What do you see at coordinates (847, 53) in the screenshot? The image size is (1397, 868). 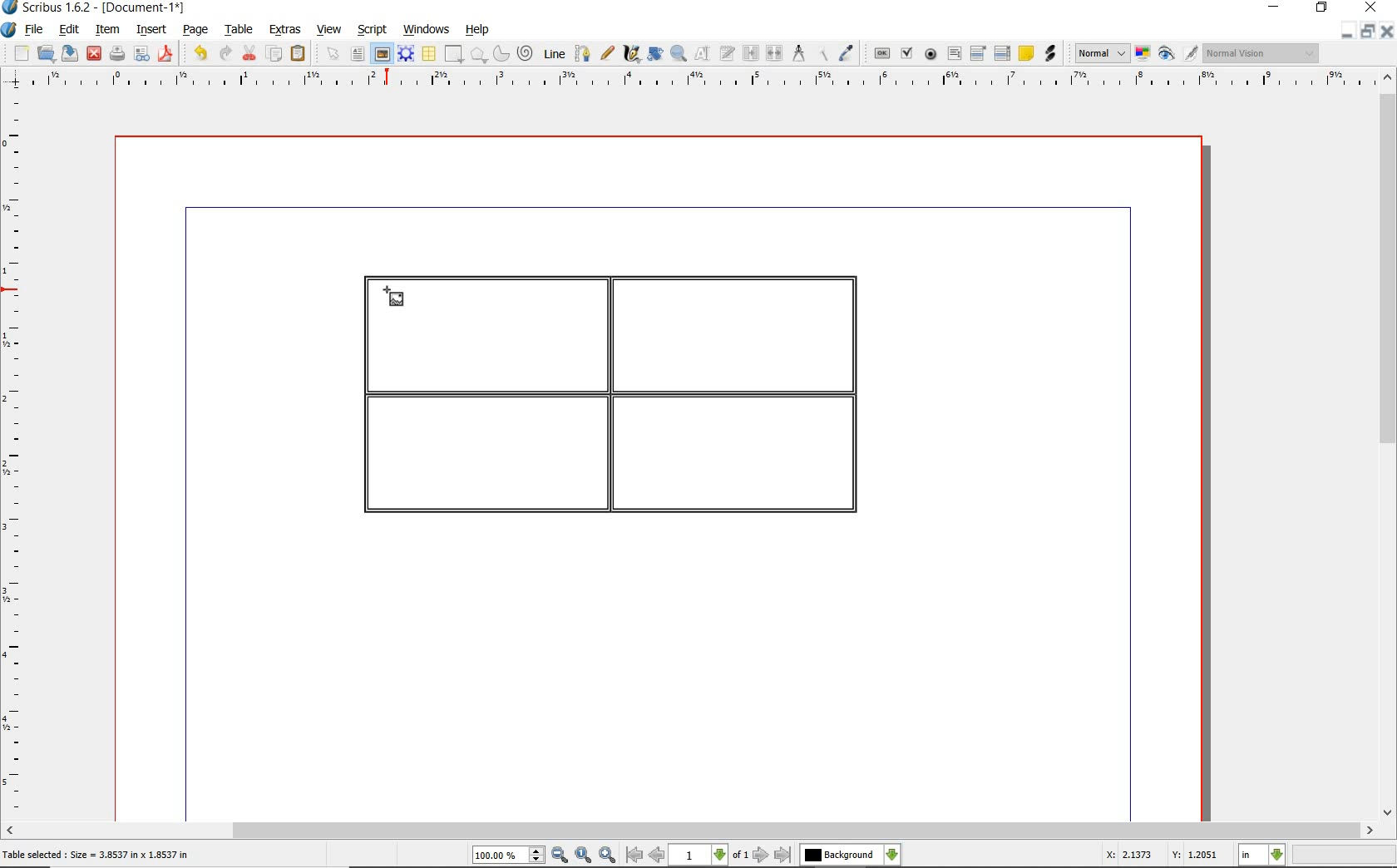 I see `eye dropper` at bounding box center [847, 53].